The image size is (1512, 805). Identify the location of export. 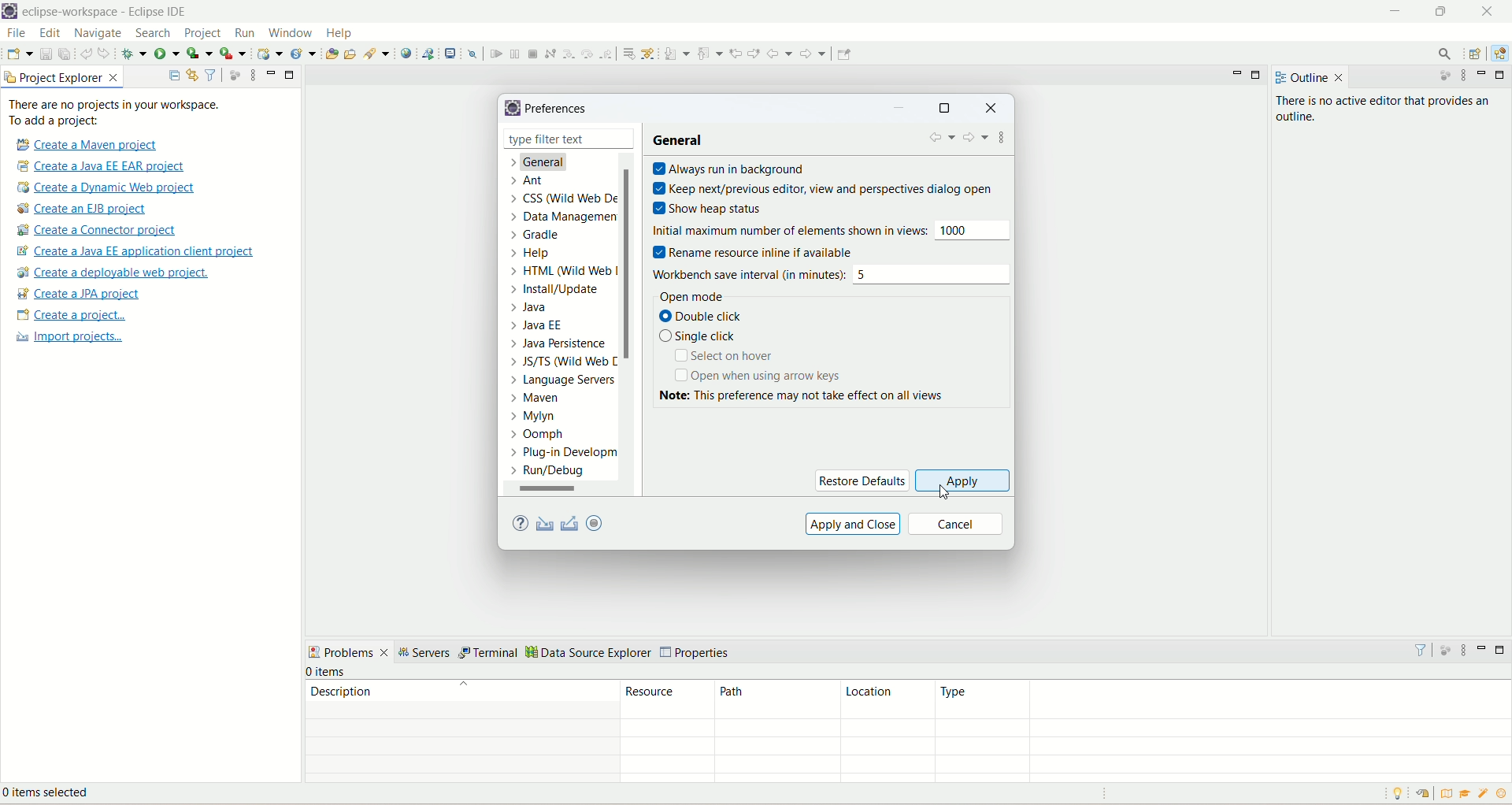
(571, 523).